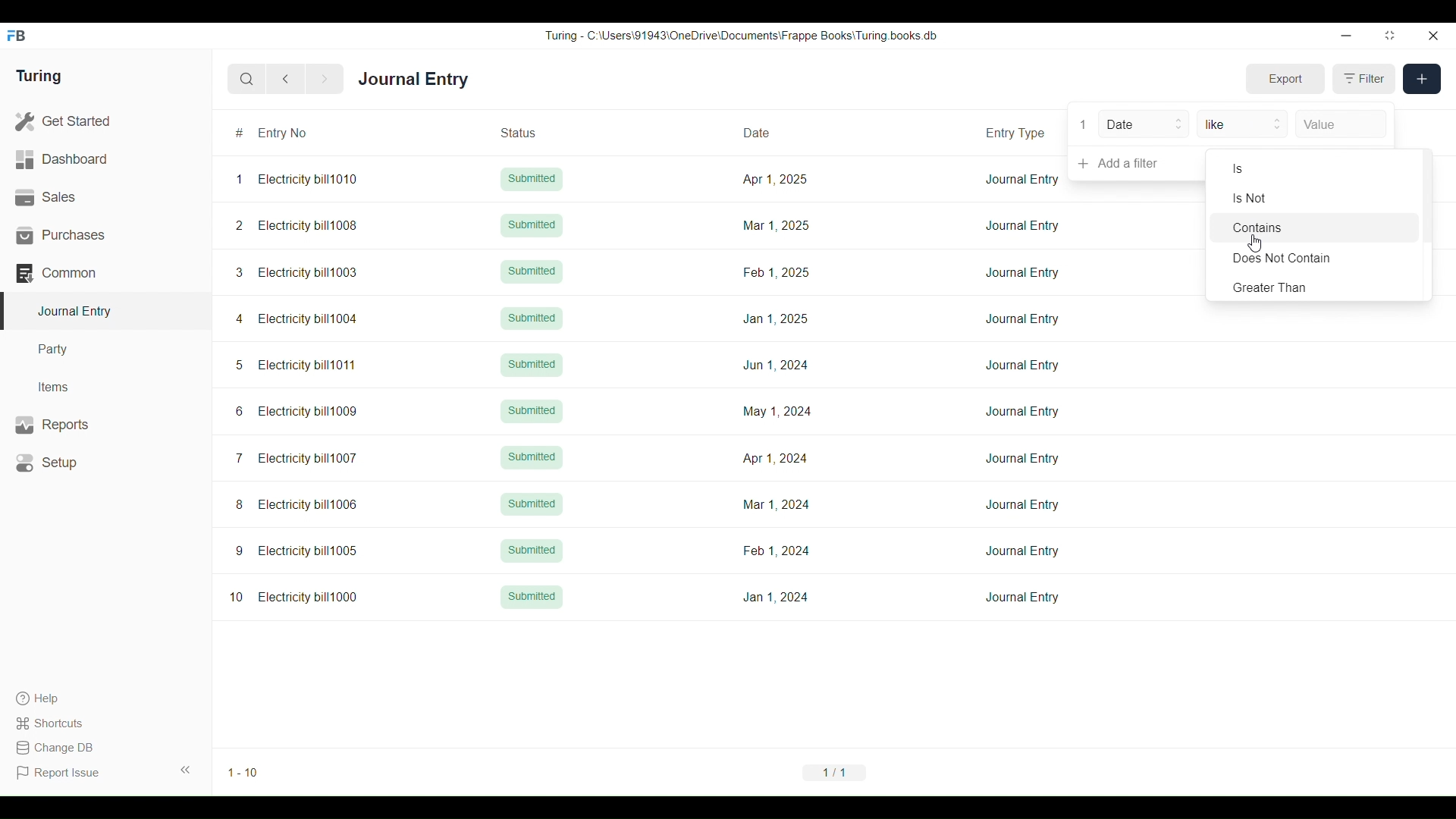 The height and width of the screenshot is (819, 1456). Describe the element at coordinates (1314, 227) in the screenshot. I see `Contains` at that location.